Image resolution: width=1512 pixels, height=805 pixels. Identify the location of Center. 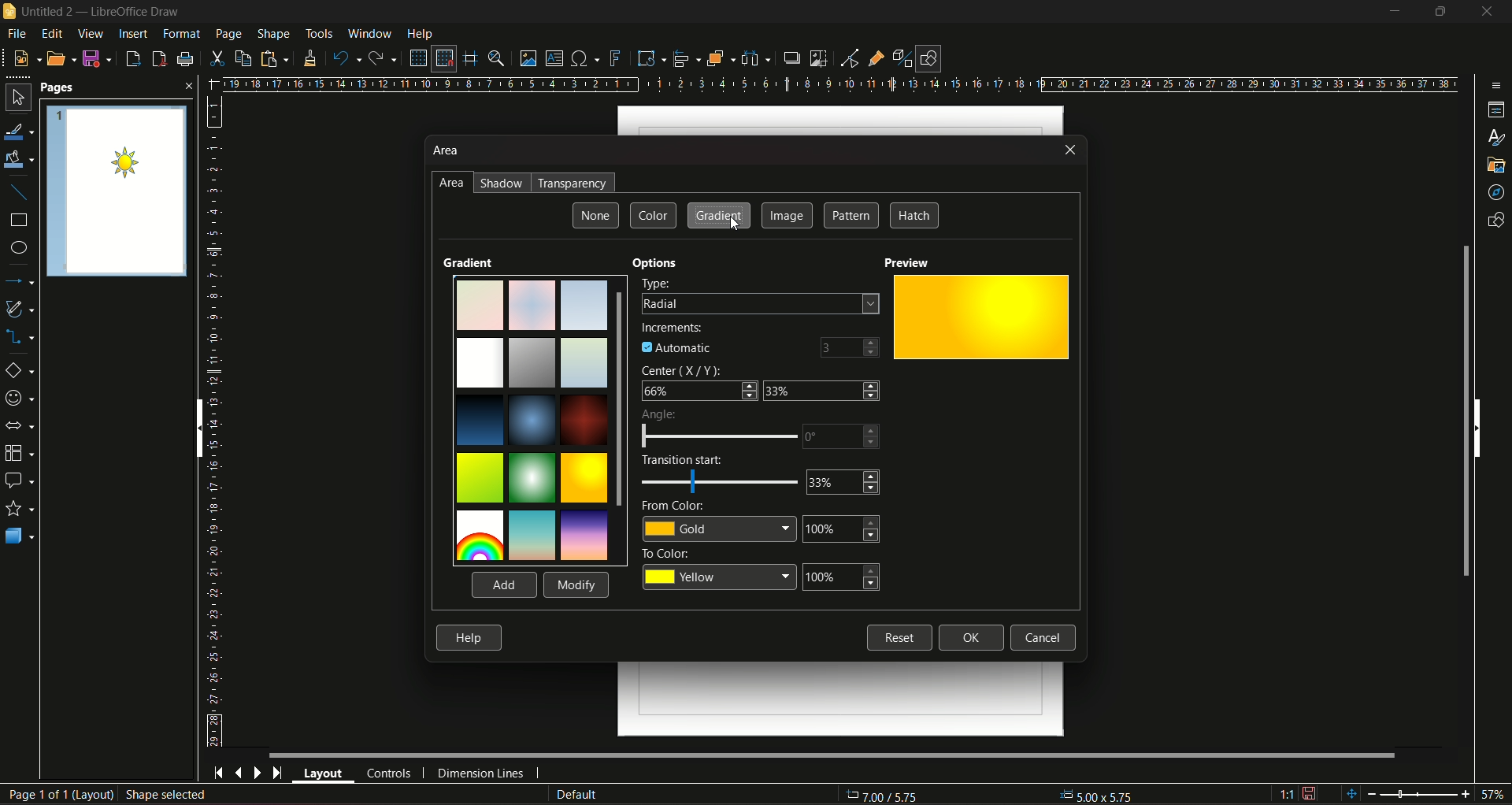
(762, 384).